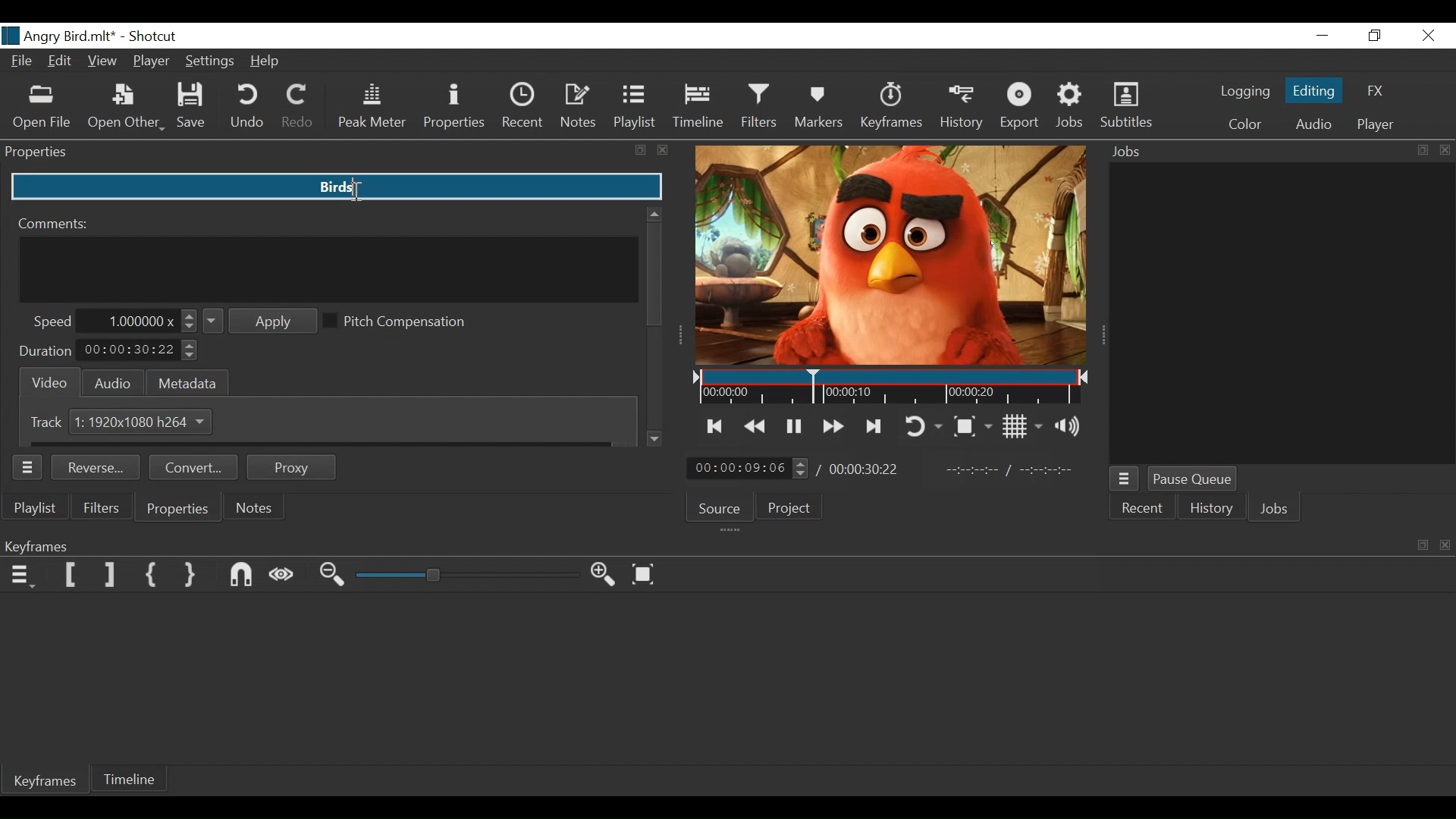 Image resolution: width=1456 pixels, height=819 pixels. Describe the element at coordinates (1213, 509) in the screenshot. I see `History` at that location.